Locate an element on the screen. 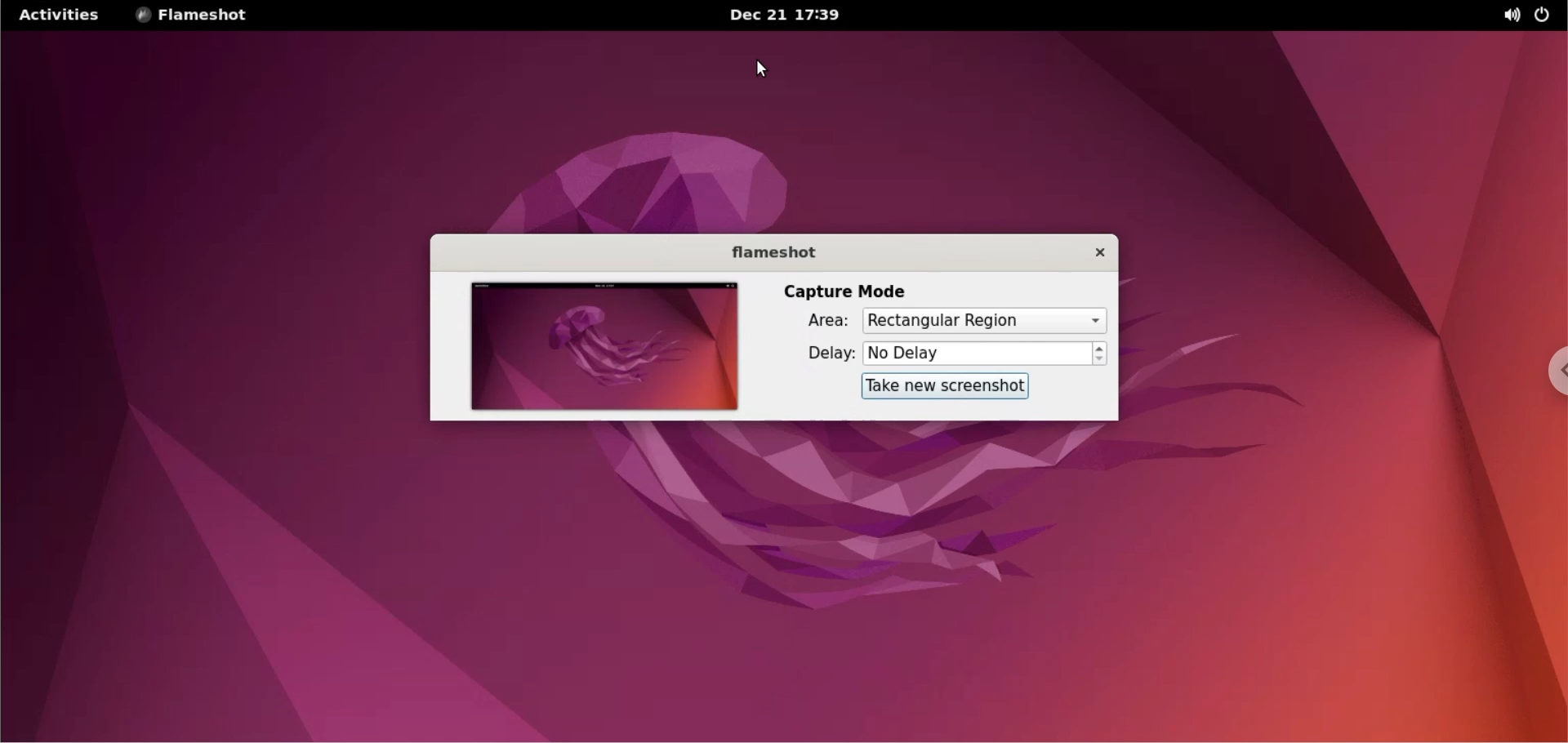  increment and decrement delay time is located at coordinates (1100, 354).